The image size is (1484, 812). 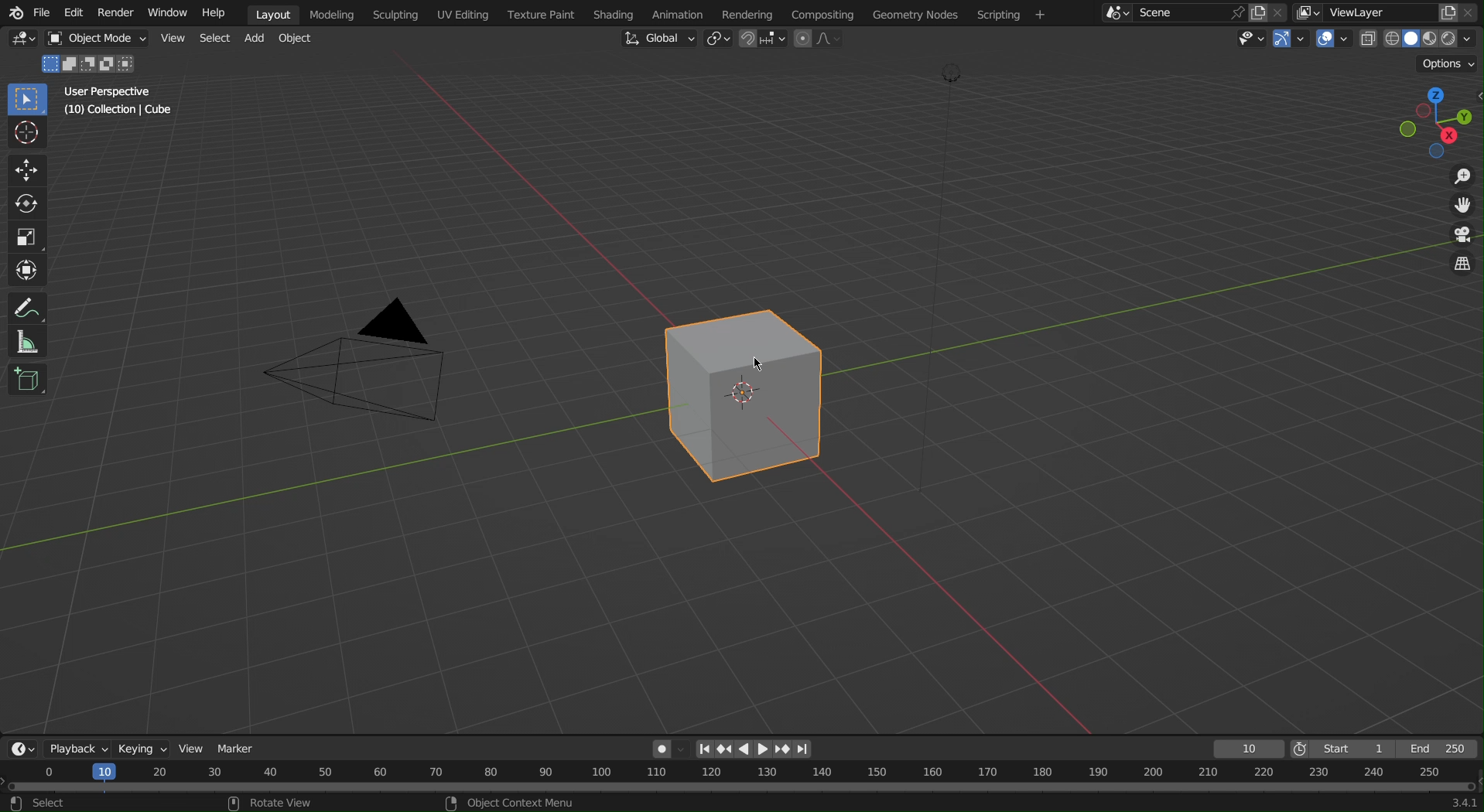 I want to click on Scale, so click(x=29, y=234).